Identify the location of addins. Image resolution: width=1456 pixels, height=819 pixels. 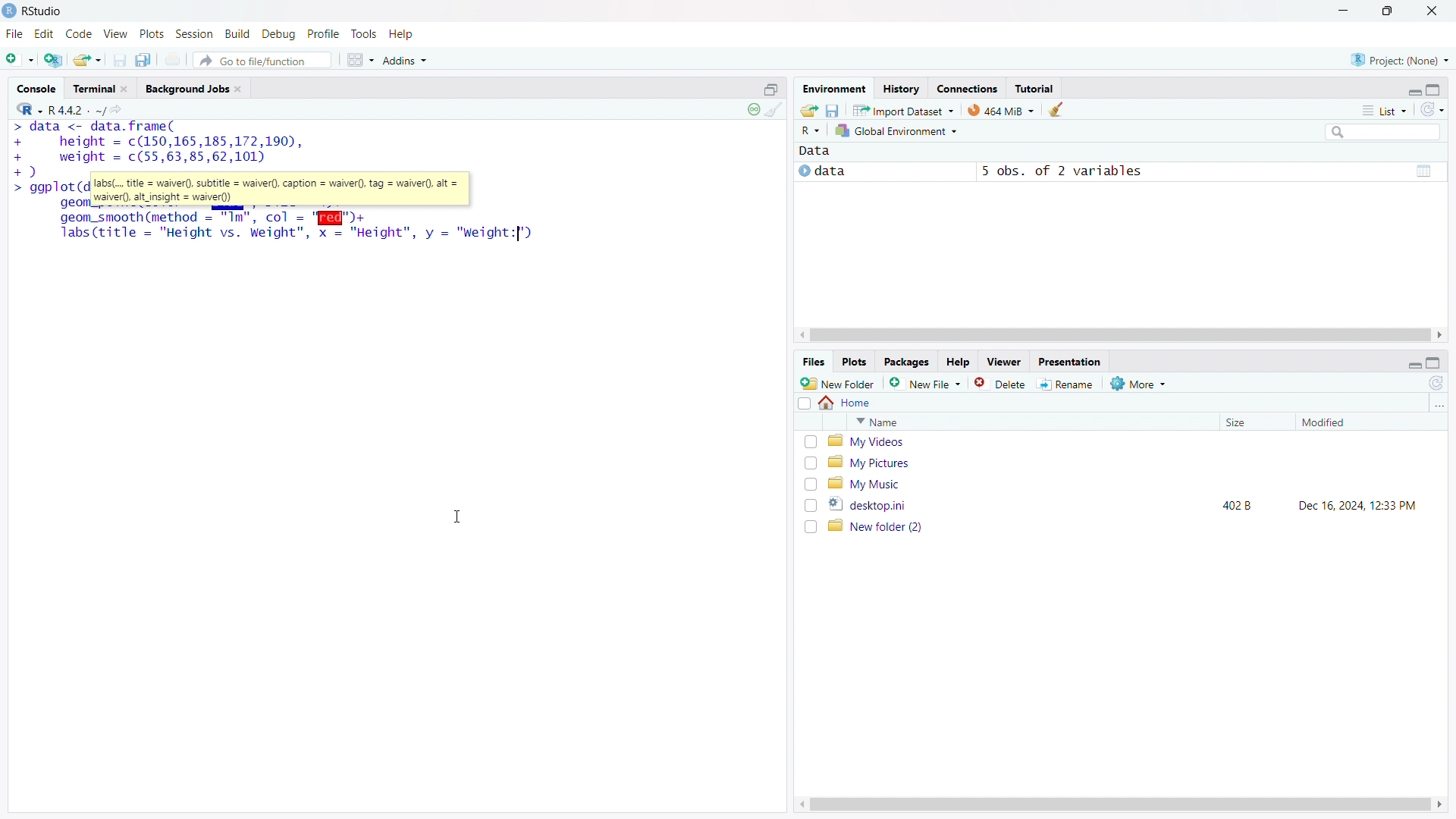
(406, 60).